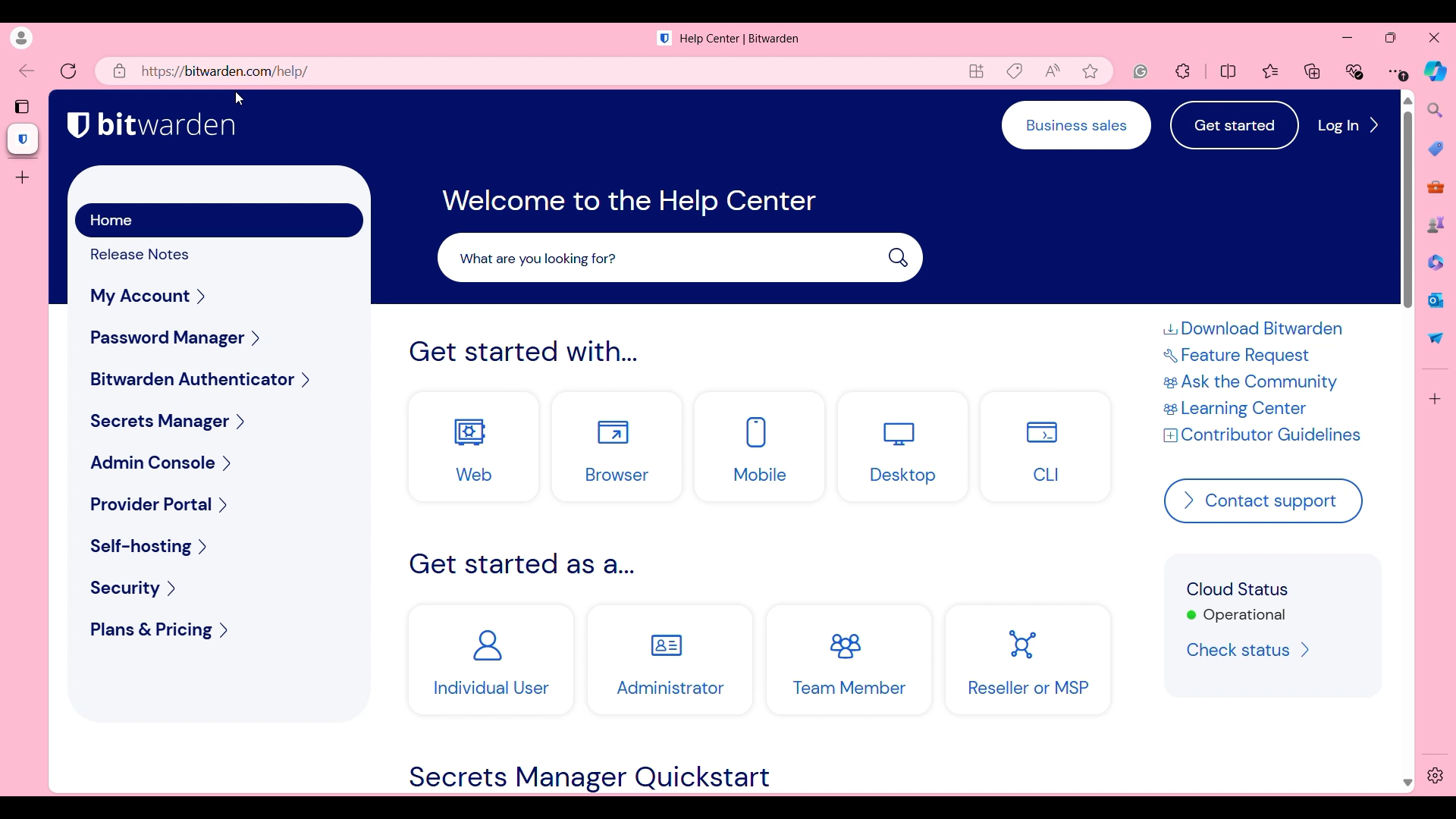  I want to click on Software logo, so click(664, 38).